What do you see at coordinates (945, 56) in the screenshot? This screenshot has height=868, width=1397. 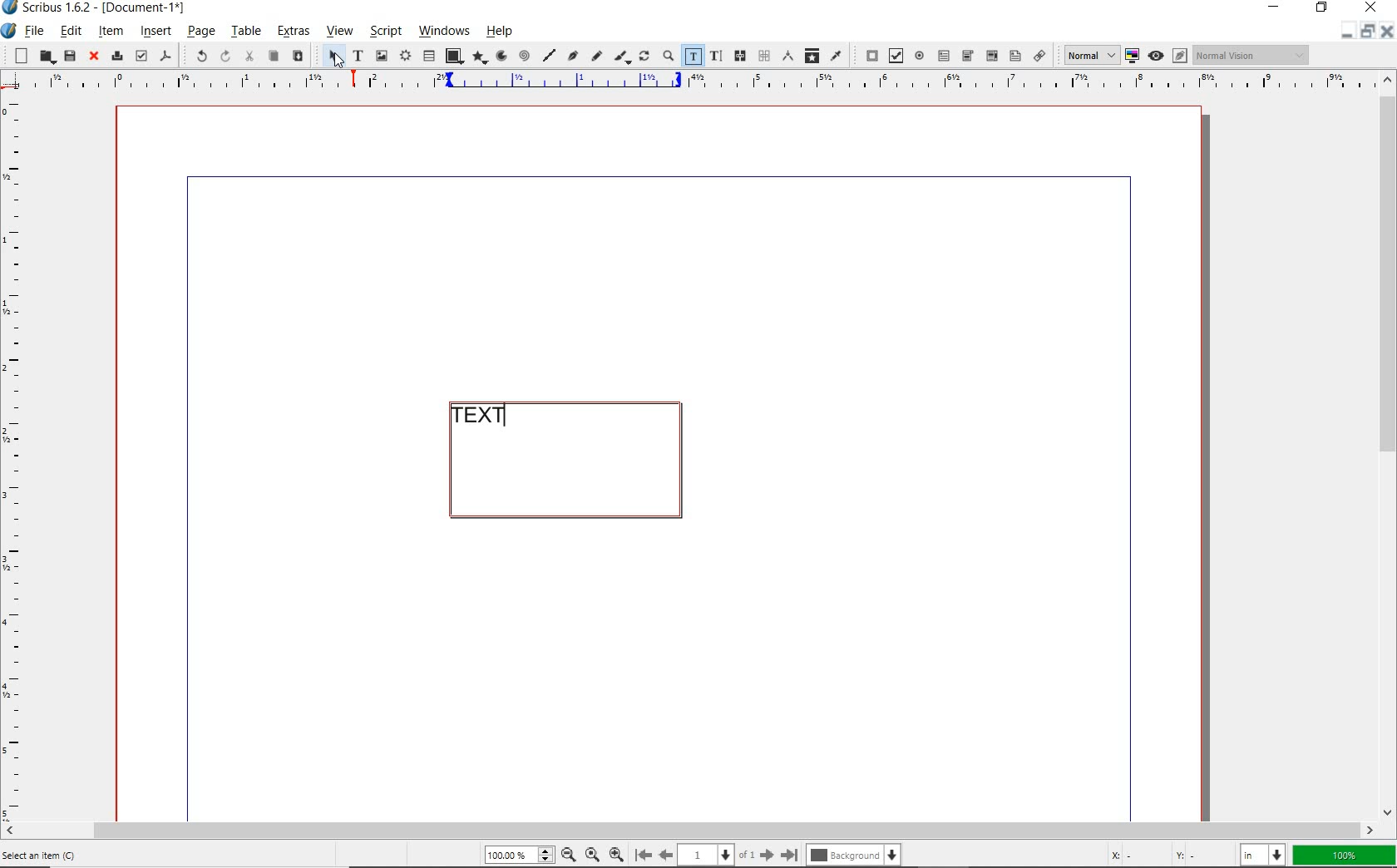 I see `pdf text field` at bounding box center [945, 56].